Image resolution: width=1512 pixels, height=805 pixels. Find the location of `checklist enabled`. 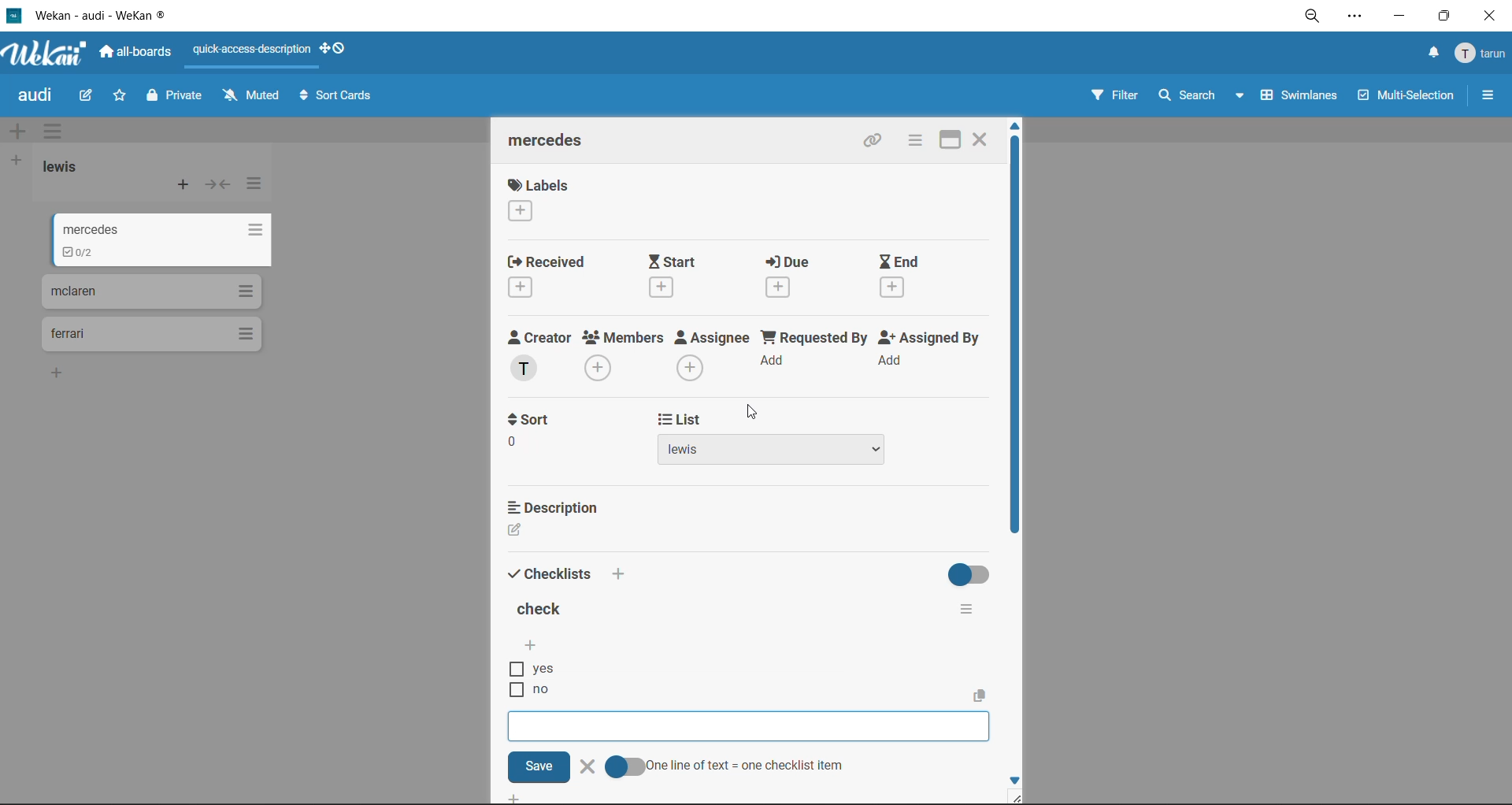

checklist enabled is located at coordinates (78, 254).